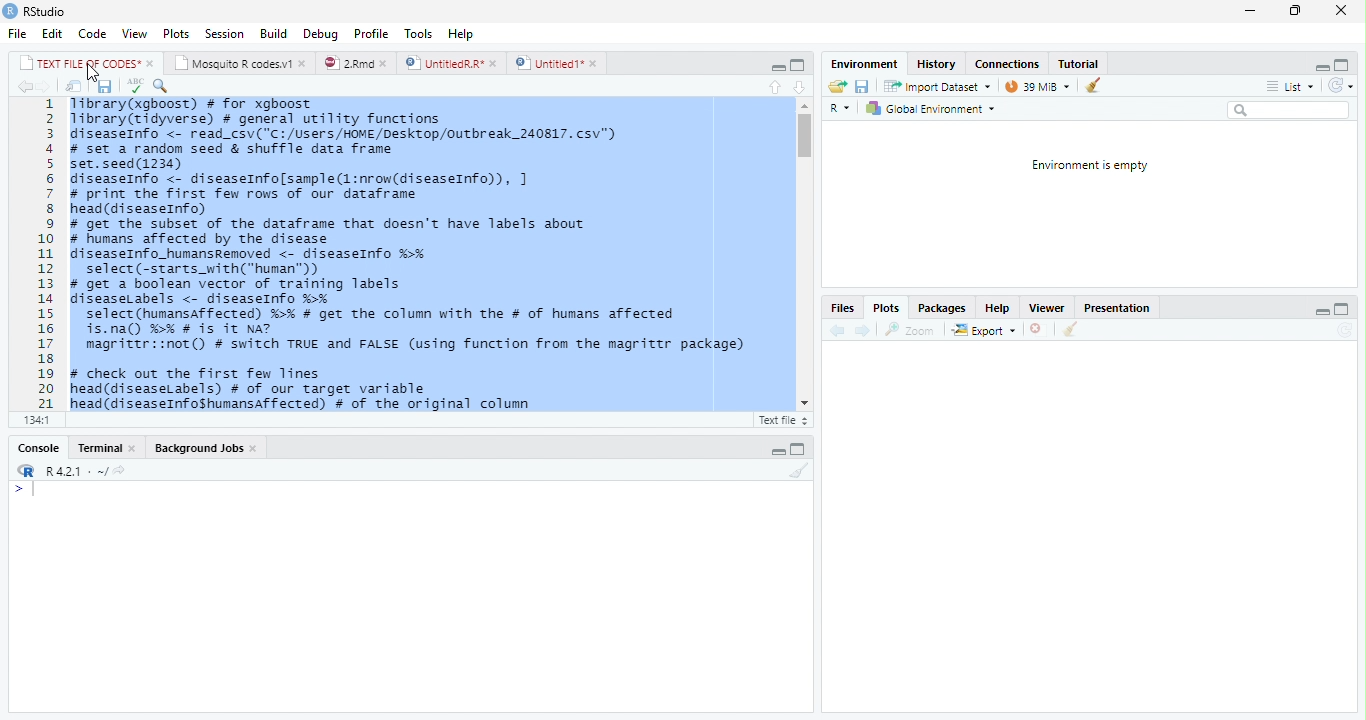  Describe the element at coordinates (451, 62) in the screenshot. I see `UntitiedR.R* ` at that location.